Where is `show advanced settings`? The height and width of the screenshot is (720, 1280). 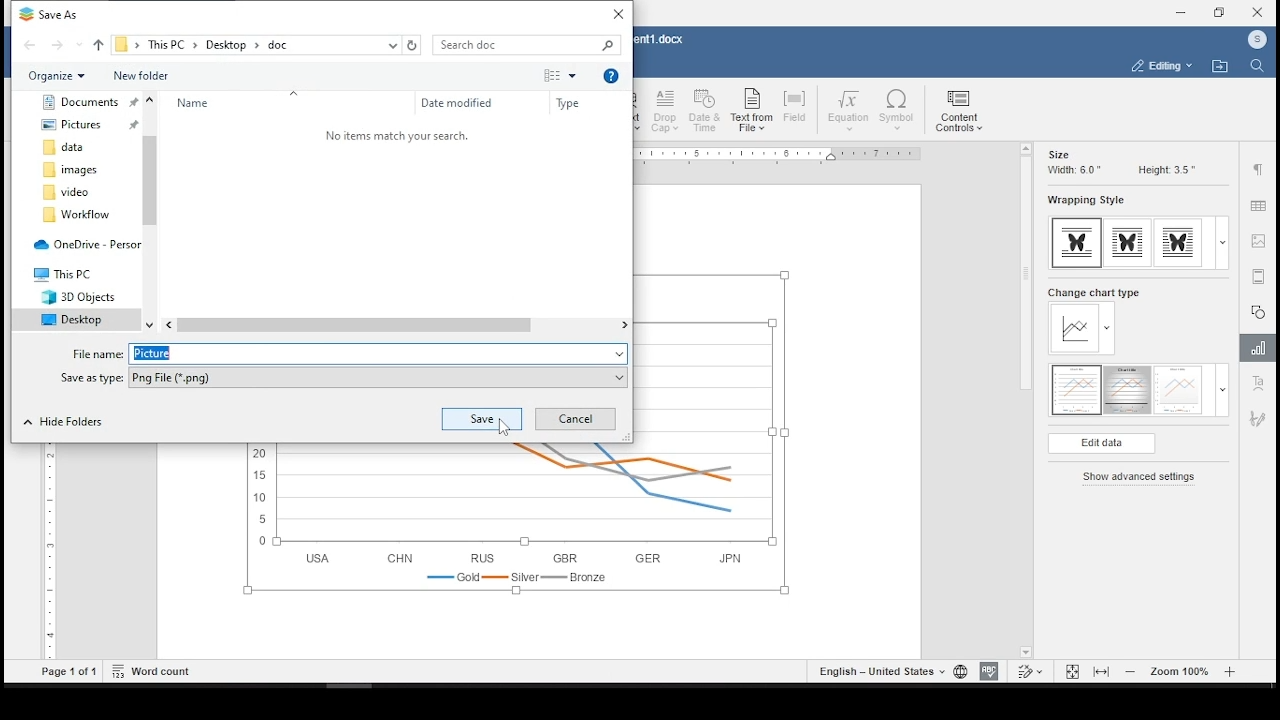 show advanced settings is located at coordinates (1143, 478).